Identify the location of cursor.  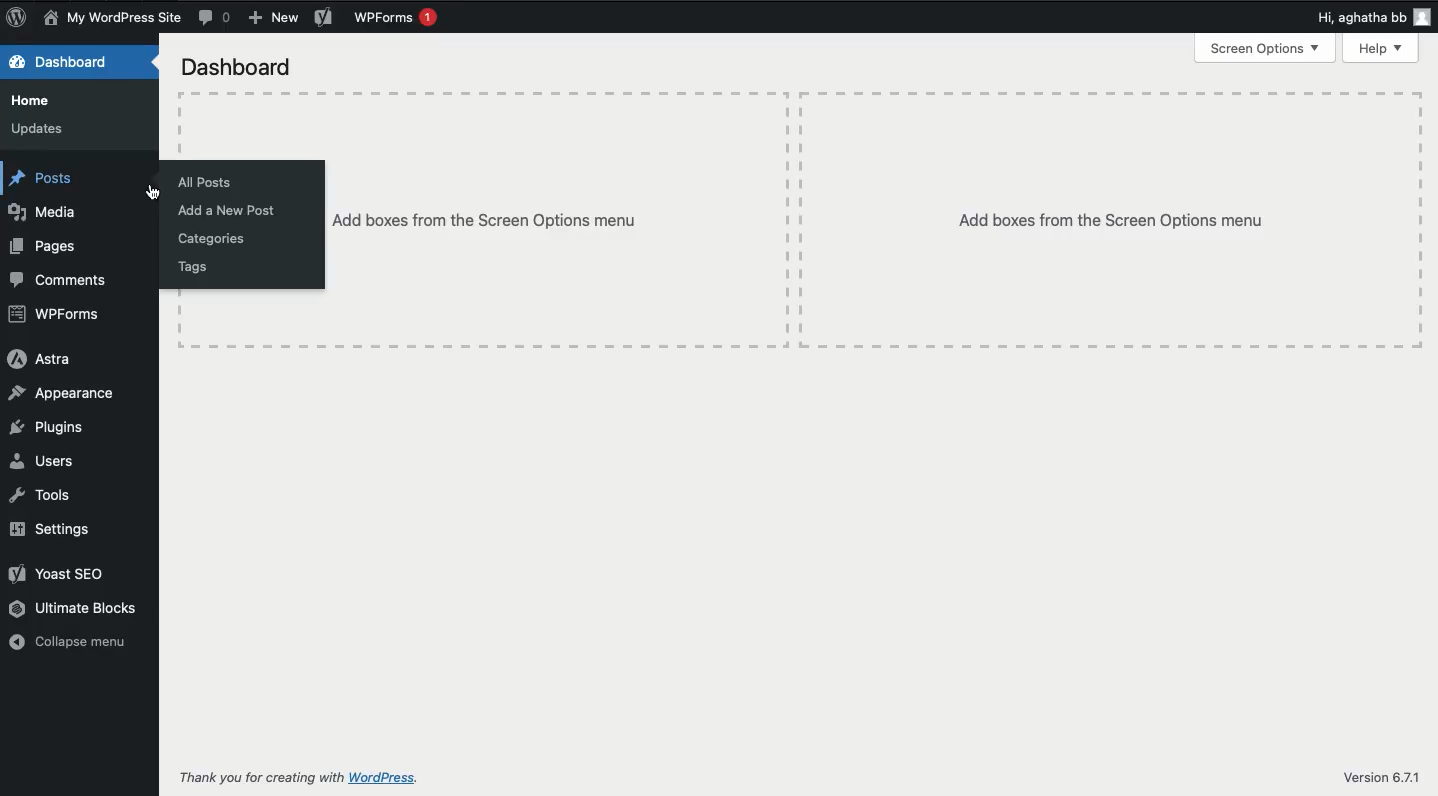
(150, 190).